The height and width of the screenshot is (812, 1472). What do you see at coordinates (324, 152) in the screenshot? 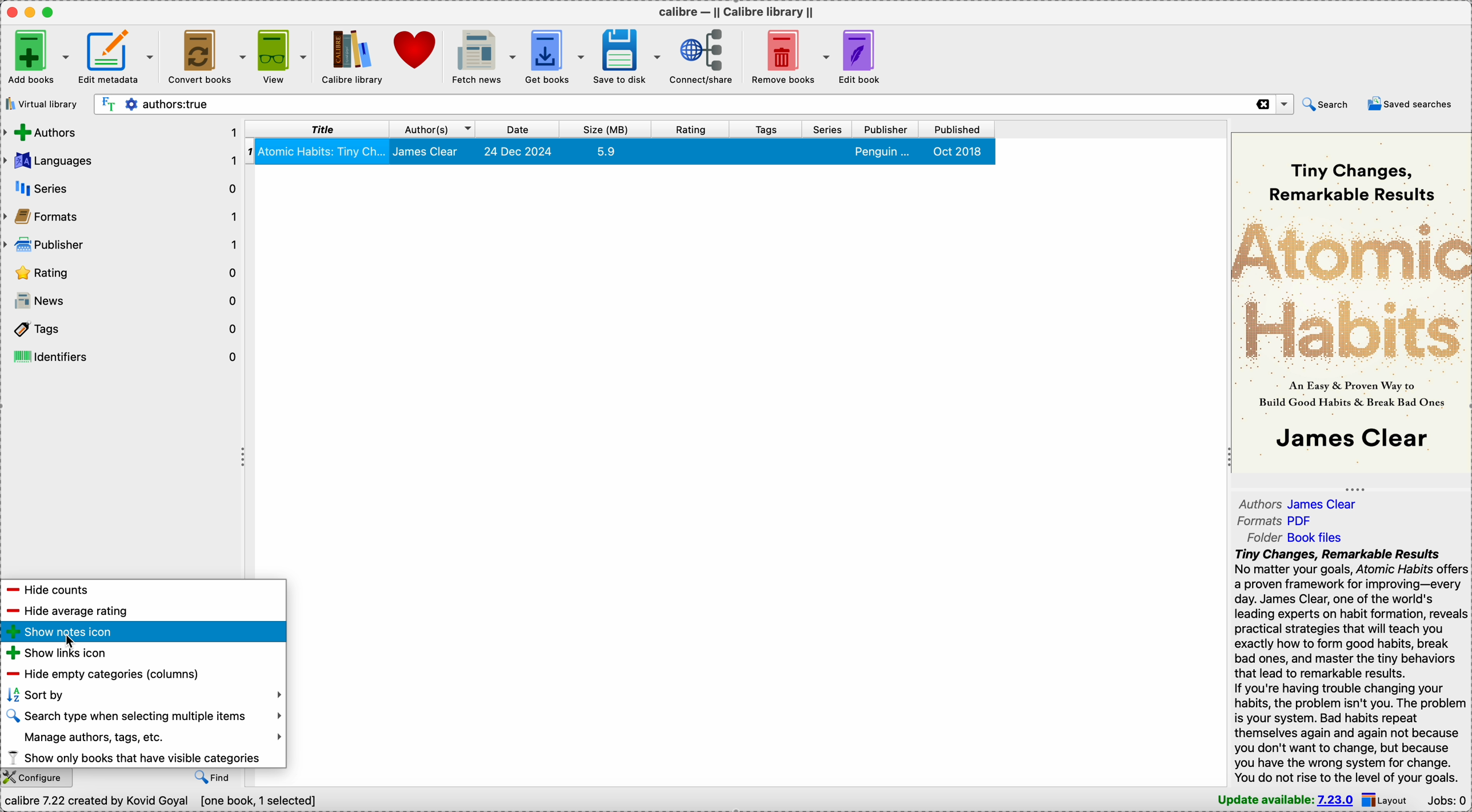
I see `atomic habits: tiny changes, remarkable results` at bounding box center [324, 152].